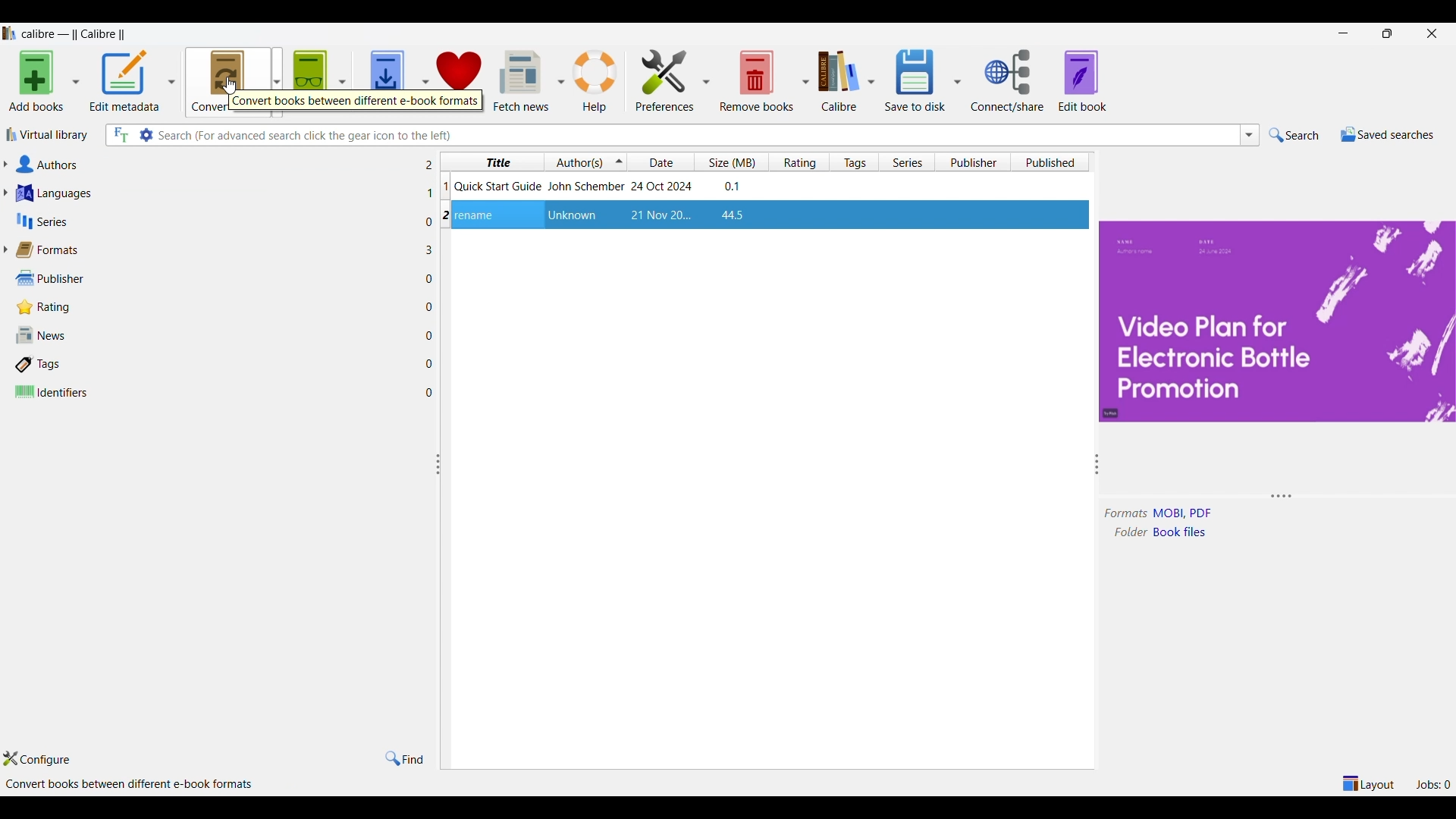 The width and height of the screenshot is (1456, 819). What do you see at coordinates (310, 81) in the screenshot?
I see `View` at bounding box center [310, 81].